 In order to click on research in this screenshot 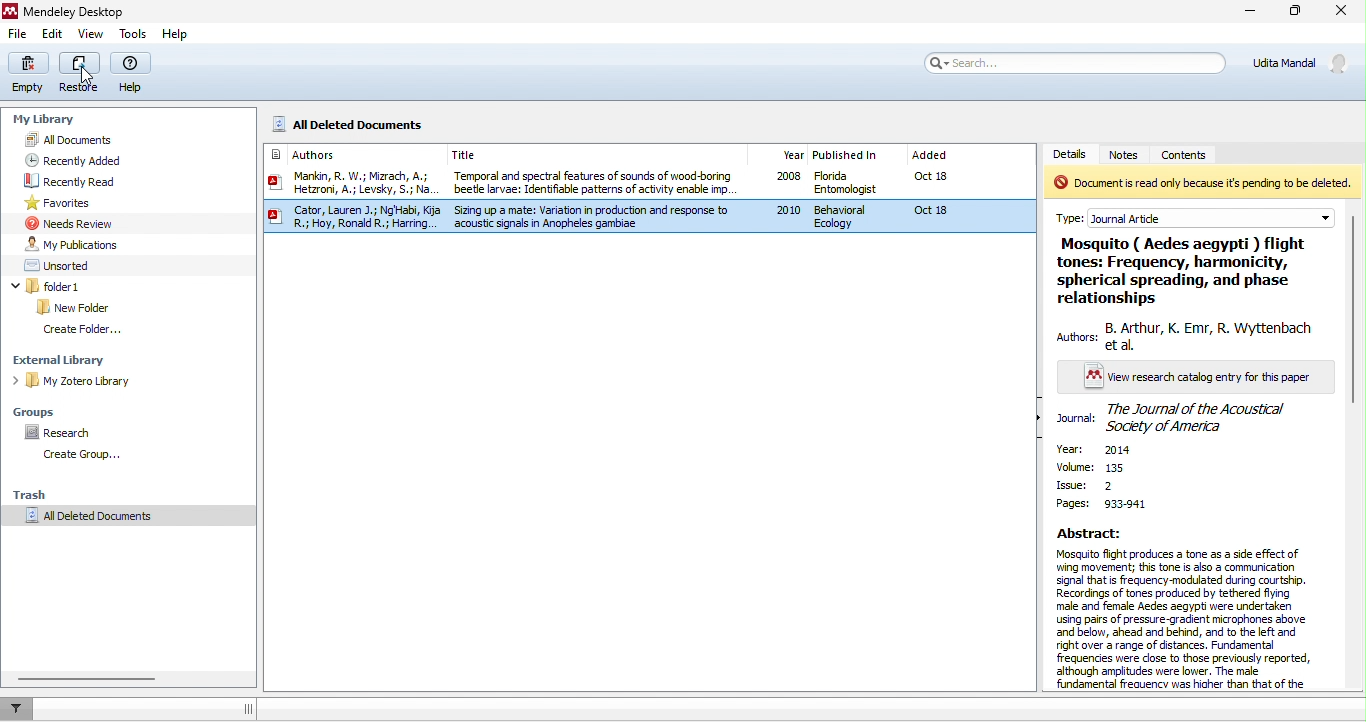, I will do `click(63, 429)`.